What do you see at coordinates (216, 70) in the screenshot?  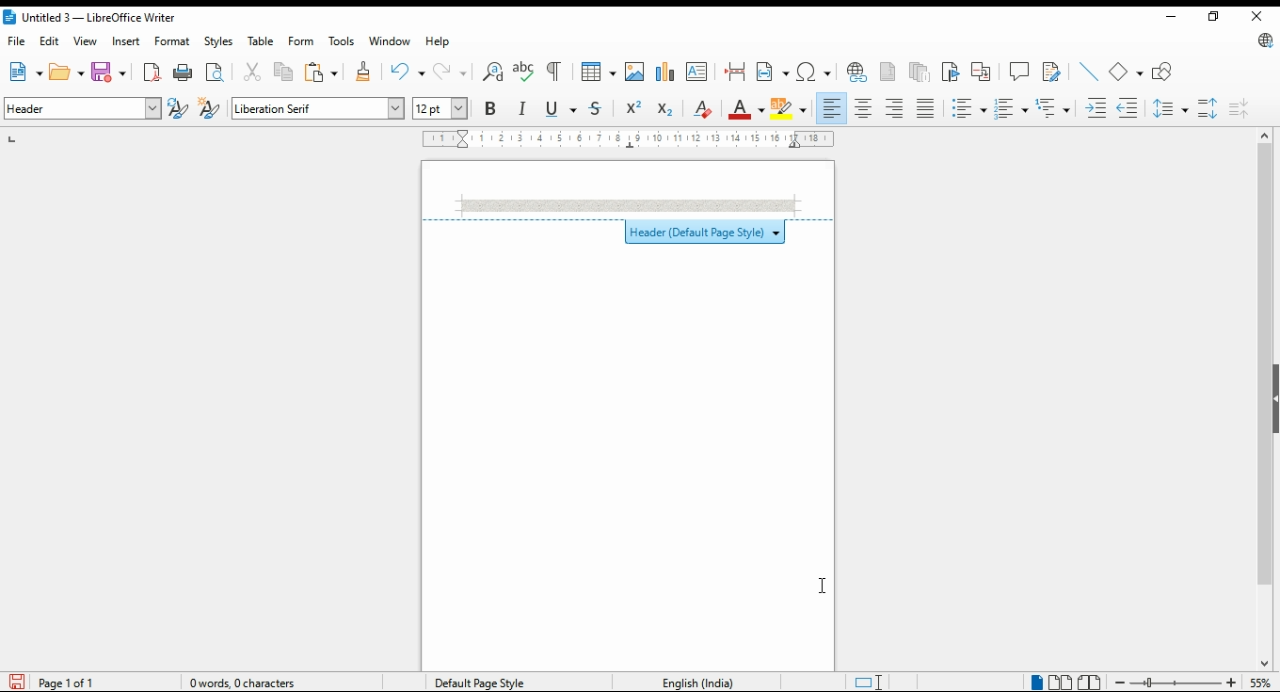 I see `toggle print preview` at bounding box center [216, 70].